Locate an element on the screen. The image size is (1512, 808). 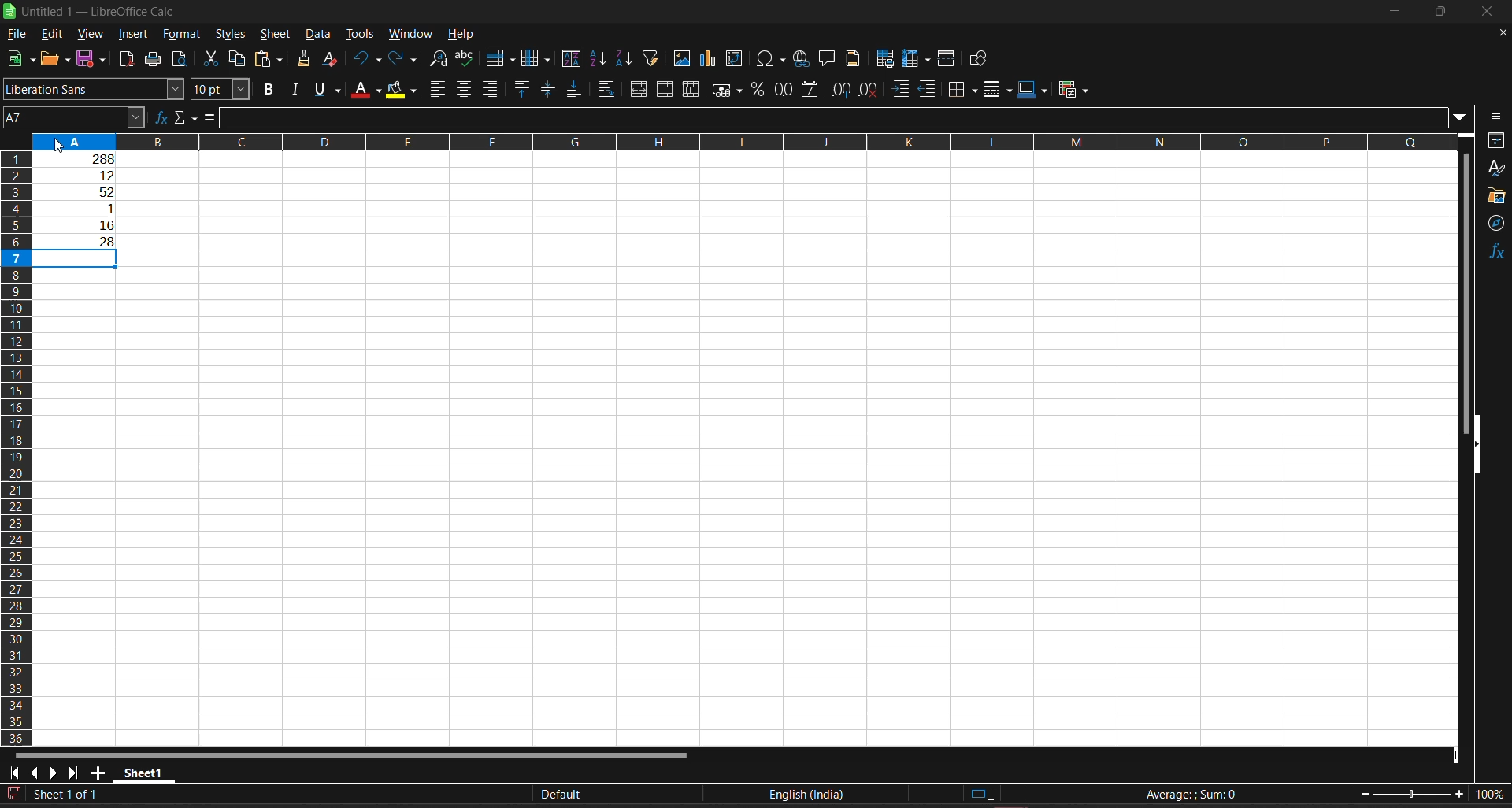
delete decimal place is located at coordinates (869, 88).